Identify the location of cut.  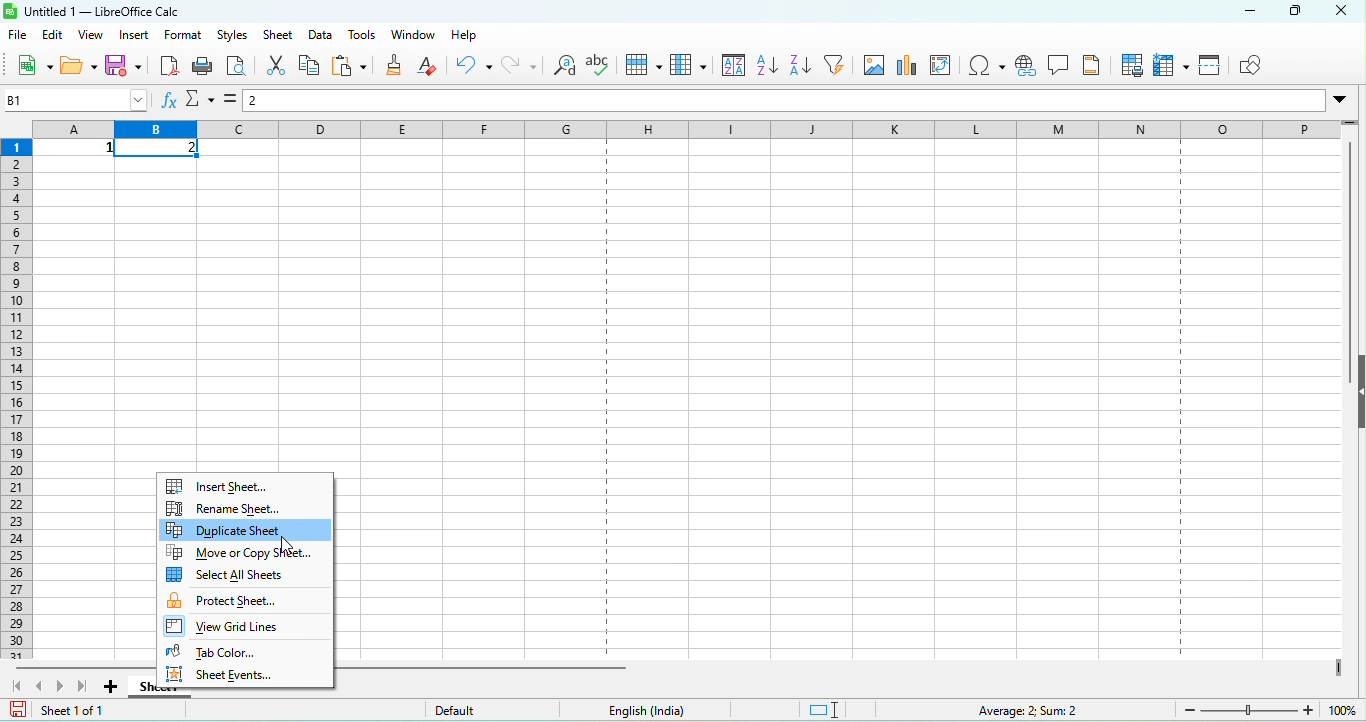
(276, 66).